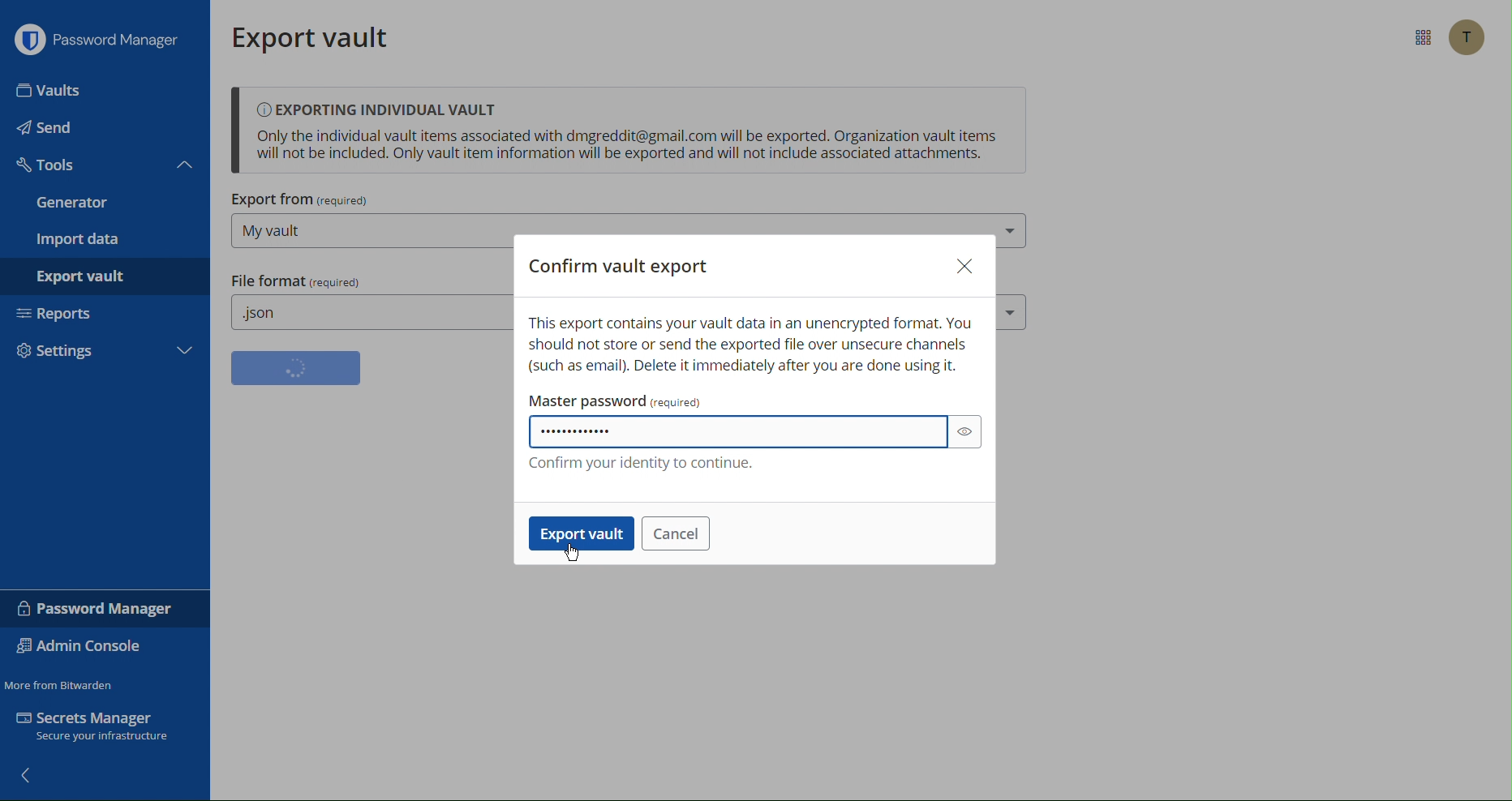 Image resolution: width=1512 pixels, height=801 pixels. I want to click on This contains your vault data in an unencrypted format Warning, so click(751, 346).